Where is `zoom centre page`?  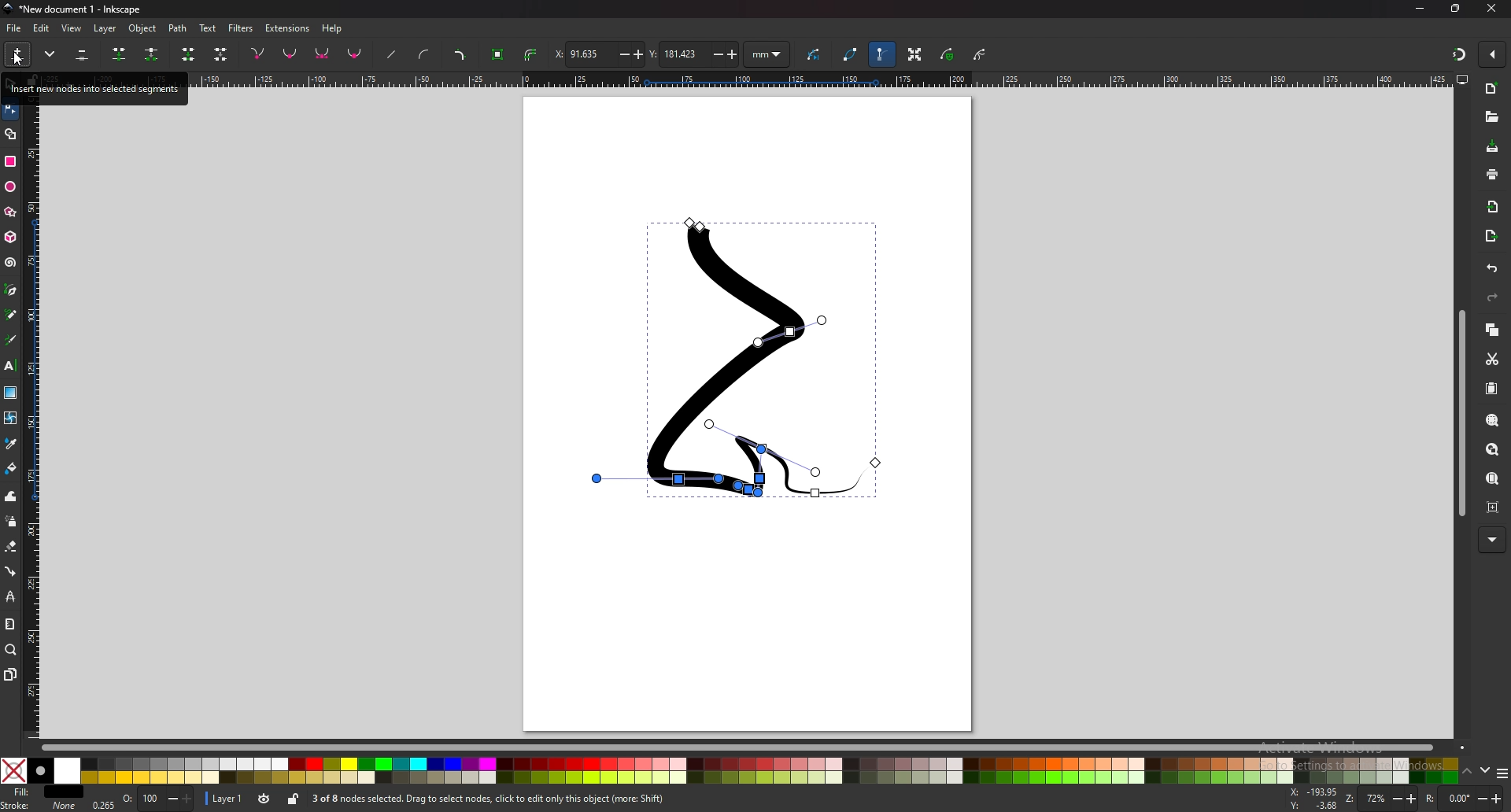
zoom centre page is located at coordinates (1493, 507).